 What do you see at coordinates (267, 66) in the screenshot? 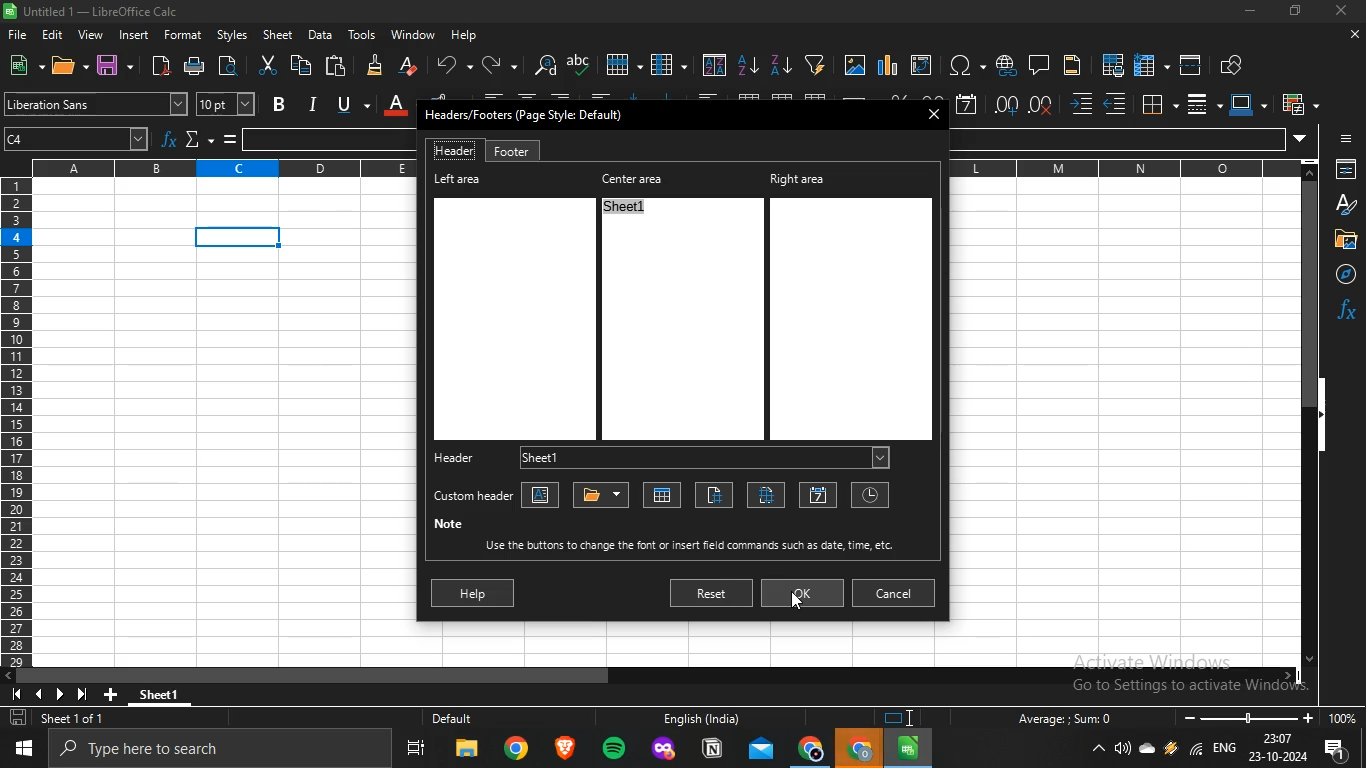
I see `cut` at bounding box center [267, 66].